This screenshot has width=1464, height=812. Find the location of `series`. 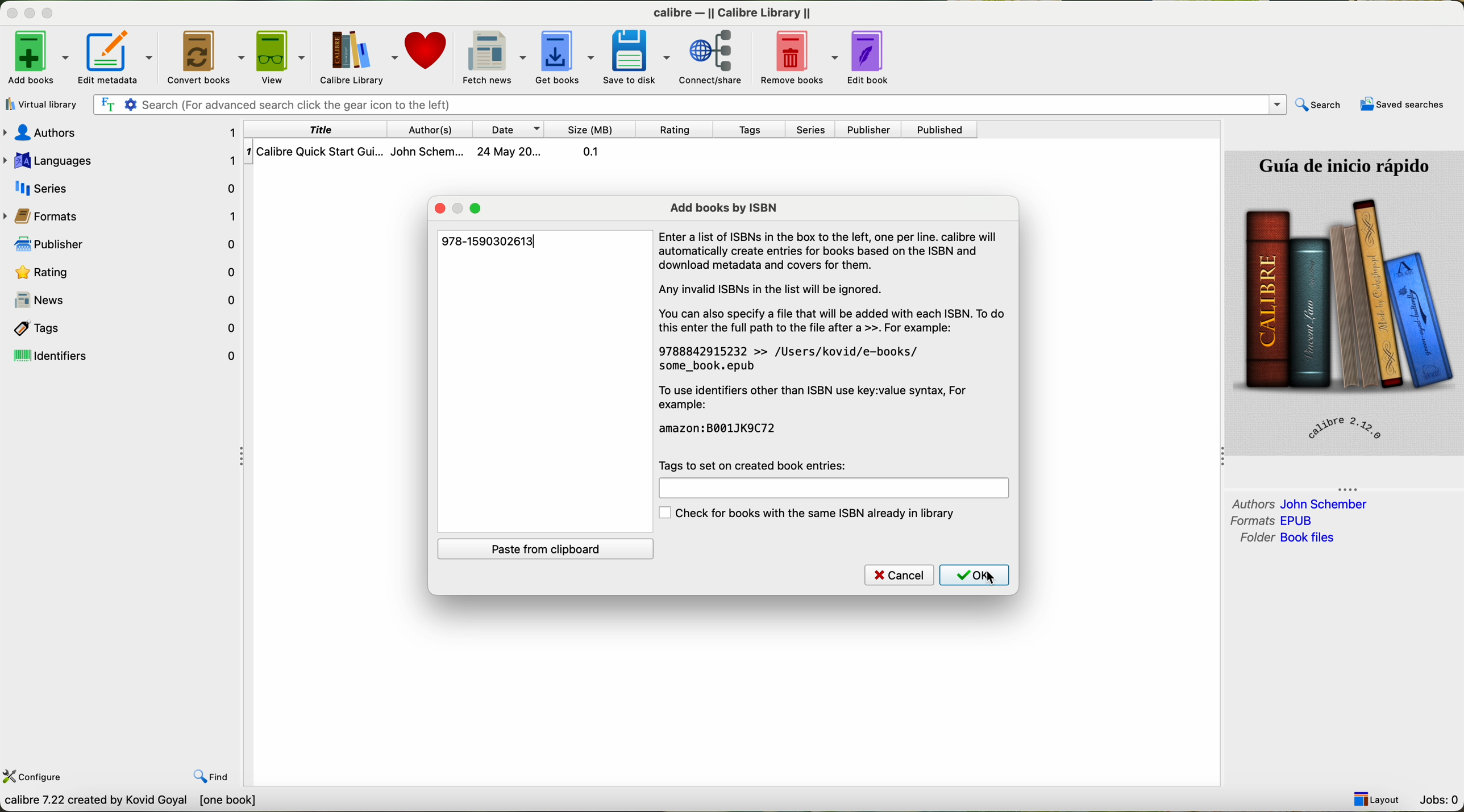

series is located at coordinates (813, 130).